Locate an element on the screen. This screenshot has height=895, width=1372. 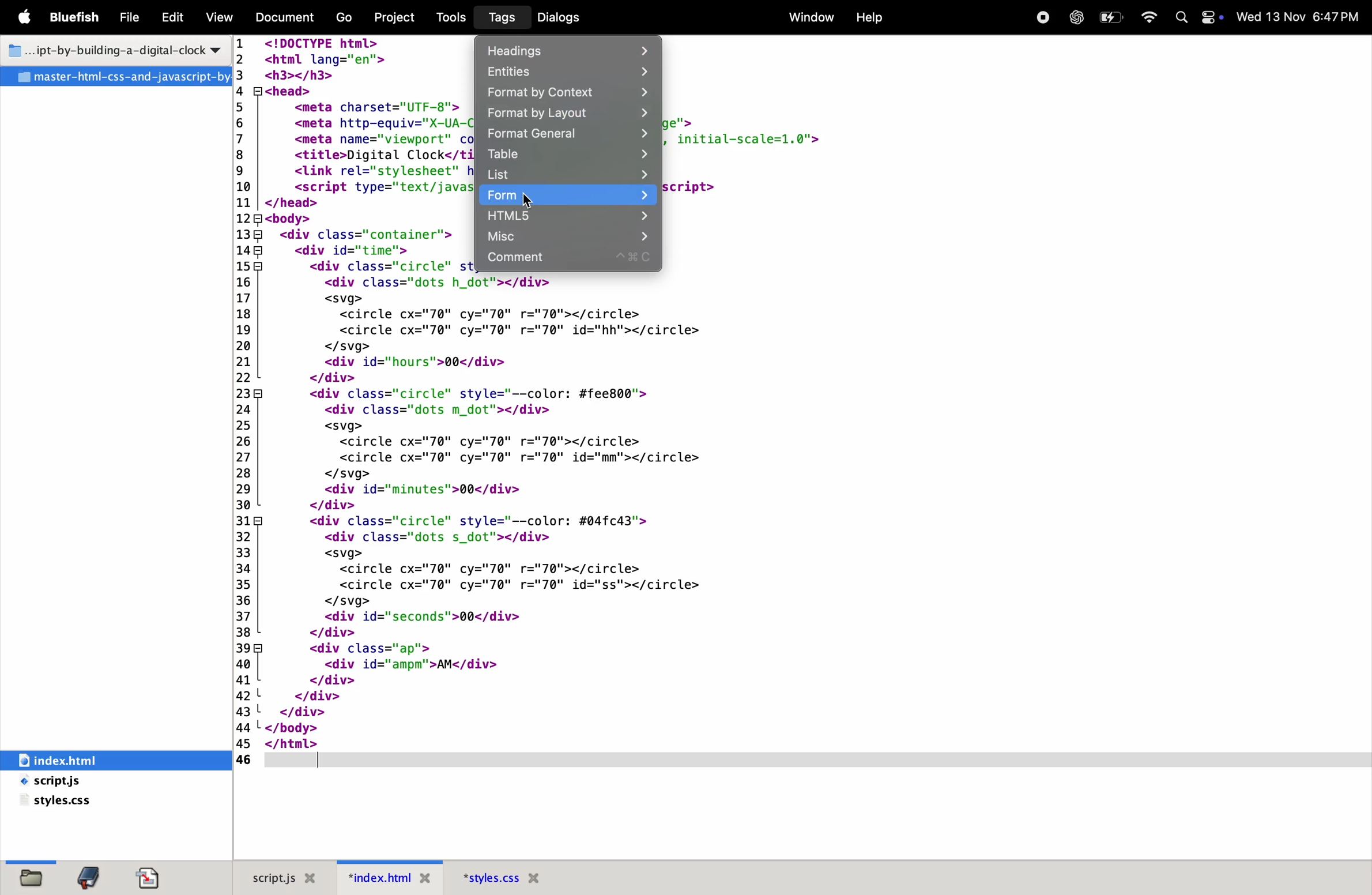
Edit is located at coordinates (174, 16).